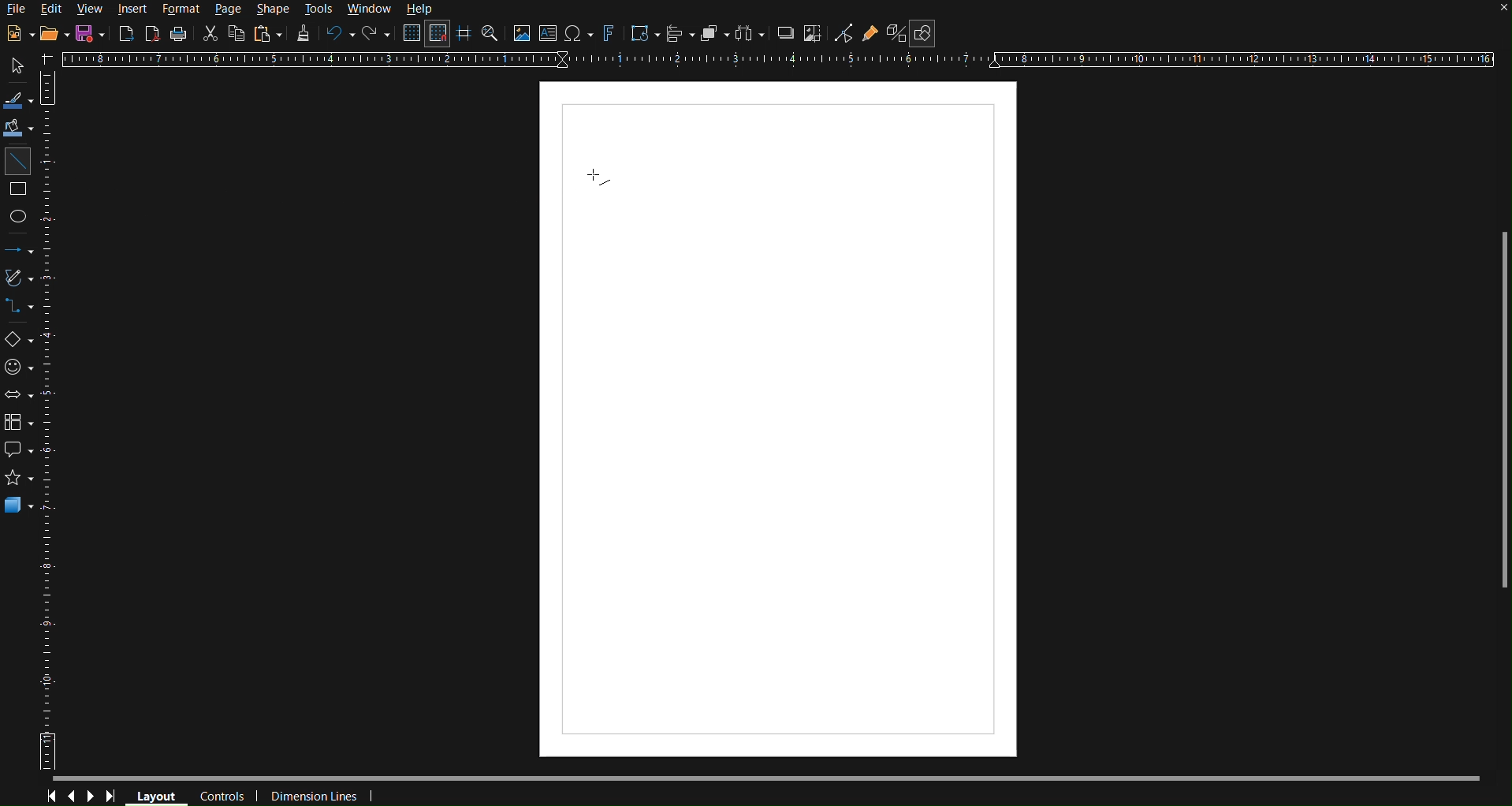 The height and width of the screenshot is (806, 1512). What do you see at coordinates (19, 101) in the screenshot?
I see `Line color` at bounding box center [19, 101].